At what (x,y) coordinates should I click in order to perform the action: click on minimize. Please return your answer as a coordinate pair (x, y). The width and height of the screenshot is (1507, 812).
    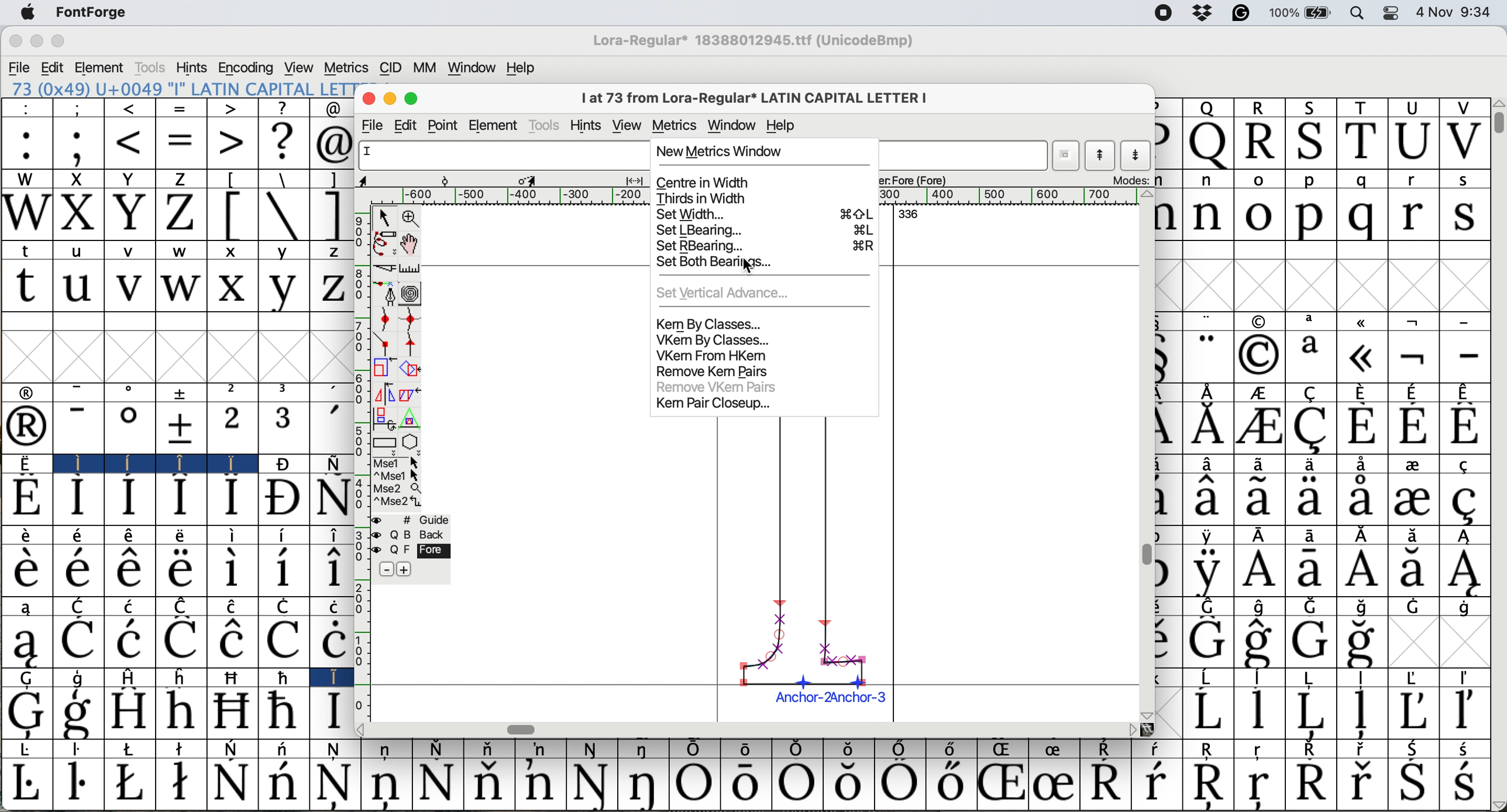
    Looking at the image, I should click on (35, 40).